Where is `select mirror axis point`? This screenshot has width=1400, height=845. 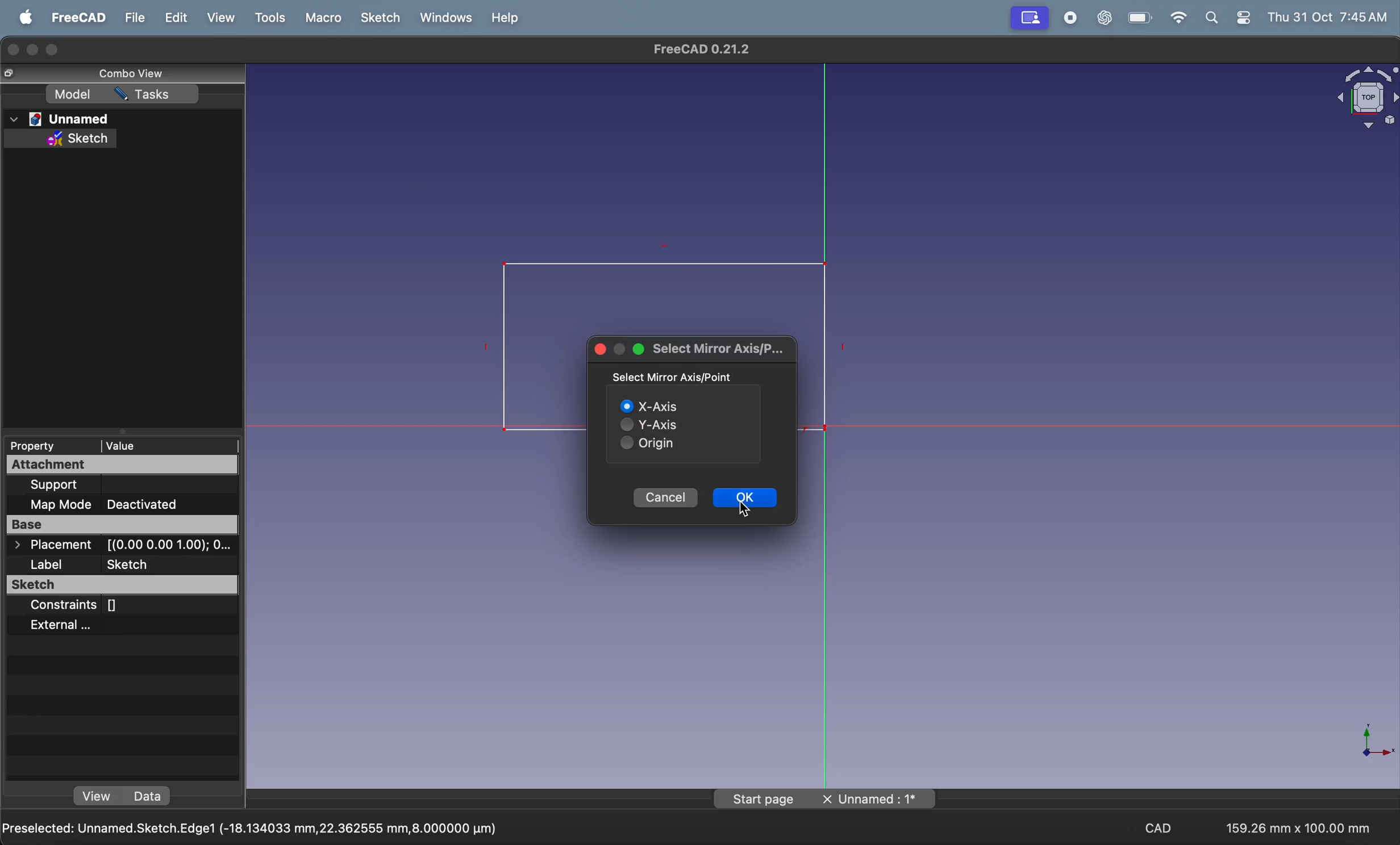 select mirror axis point is located at coordinates (682, 377).